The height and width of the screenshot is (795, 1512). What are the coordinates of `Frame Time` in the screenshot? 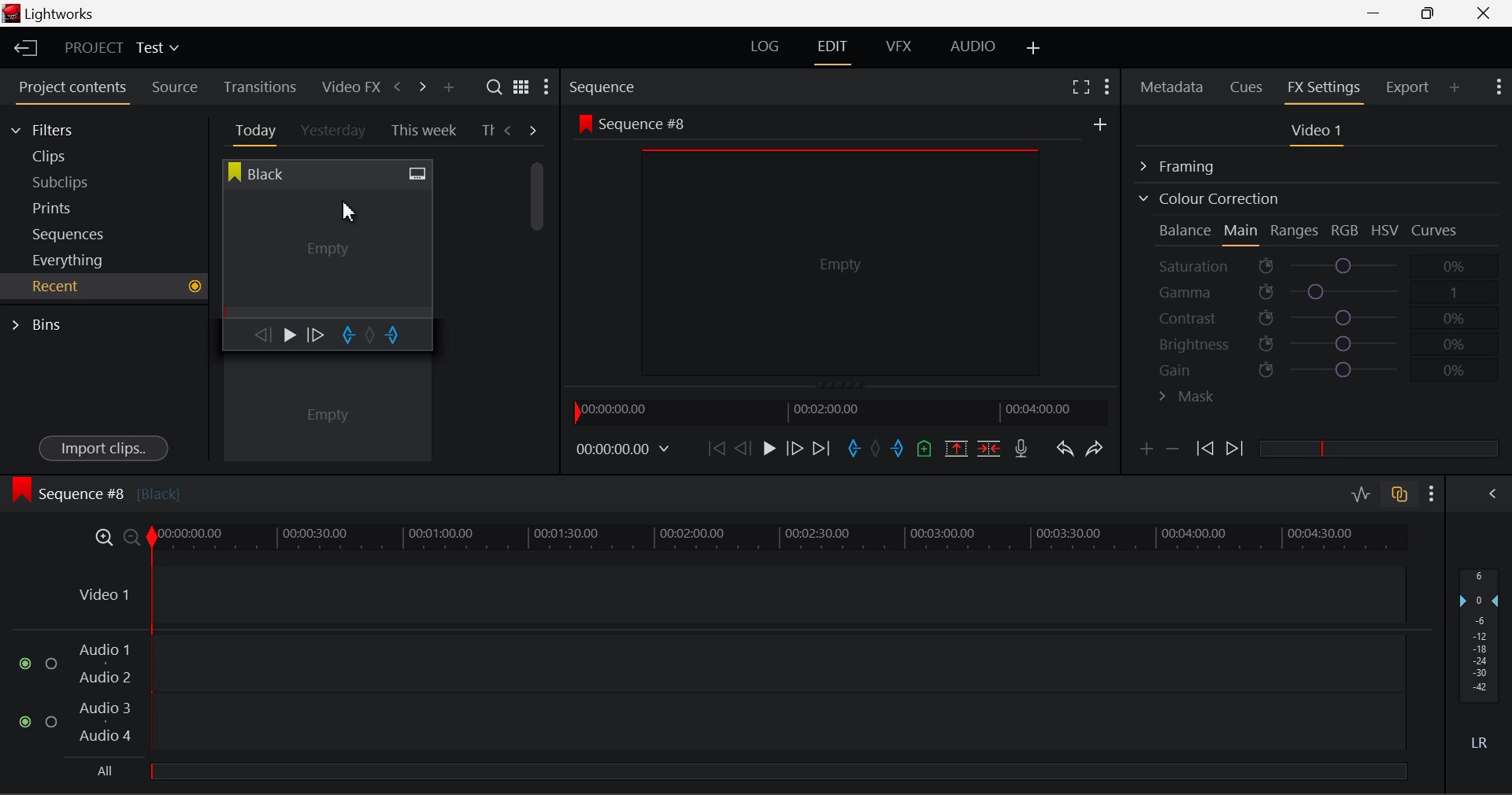 It's located at (624, 450).